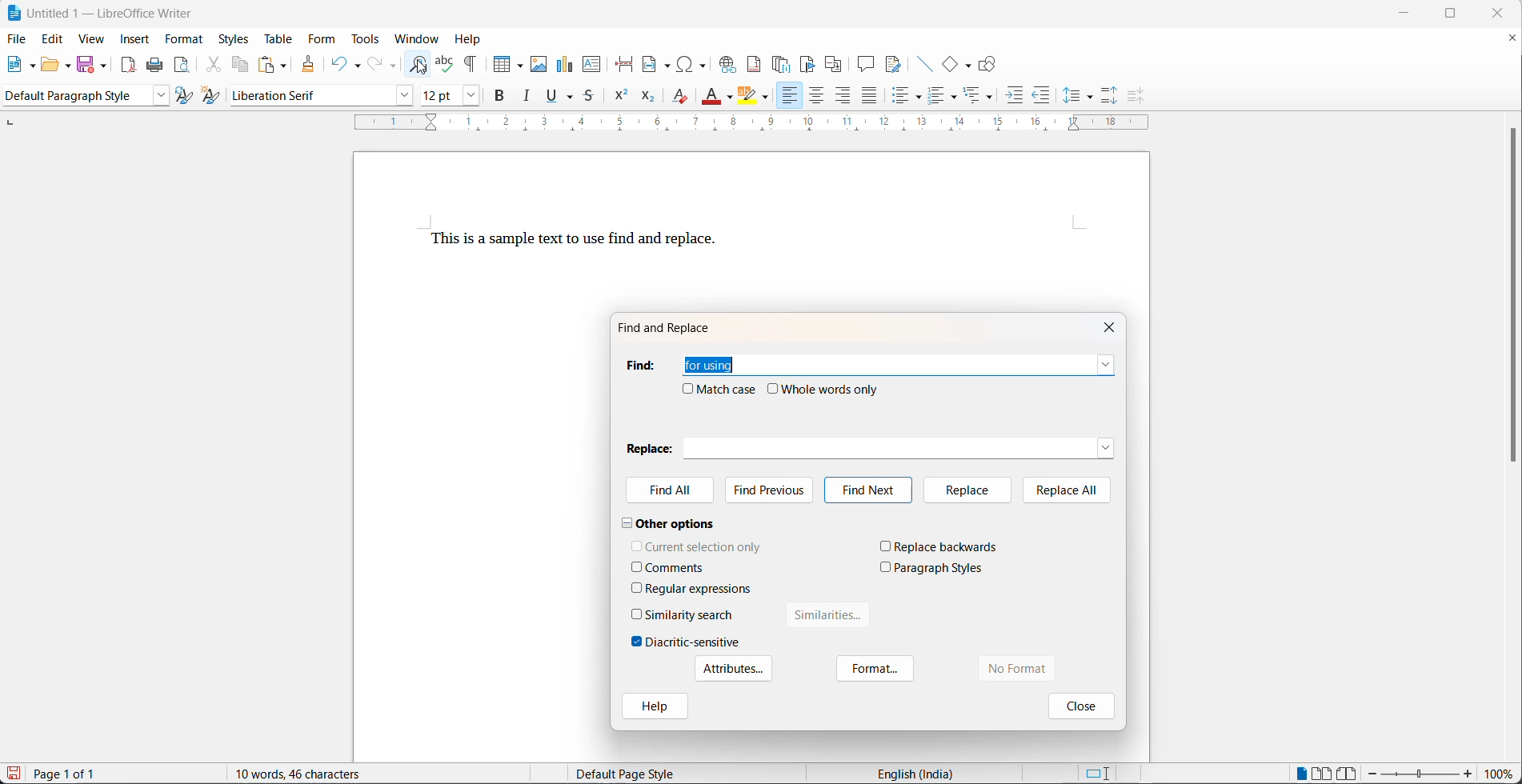  Describe the element at coordinates (834, 64) in the screenshot. I see `insert cross-reference` at that location.